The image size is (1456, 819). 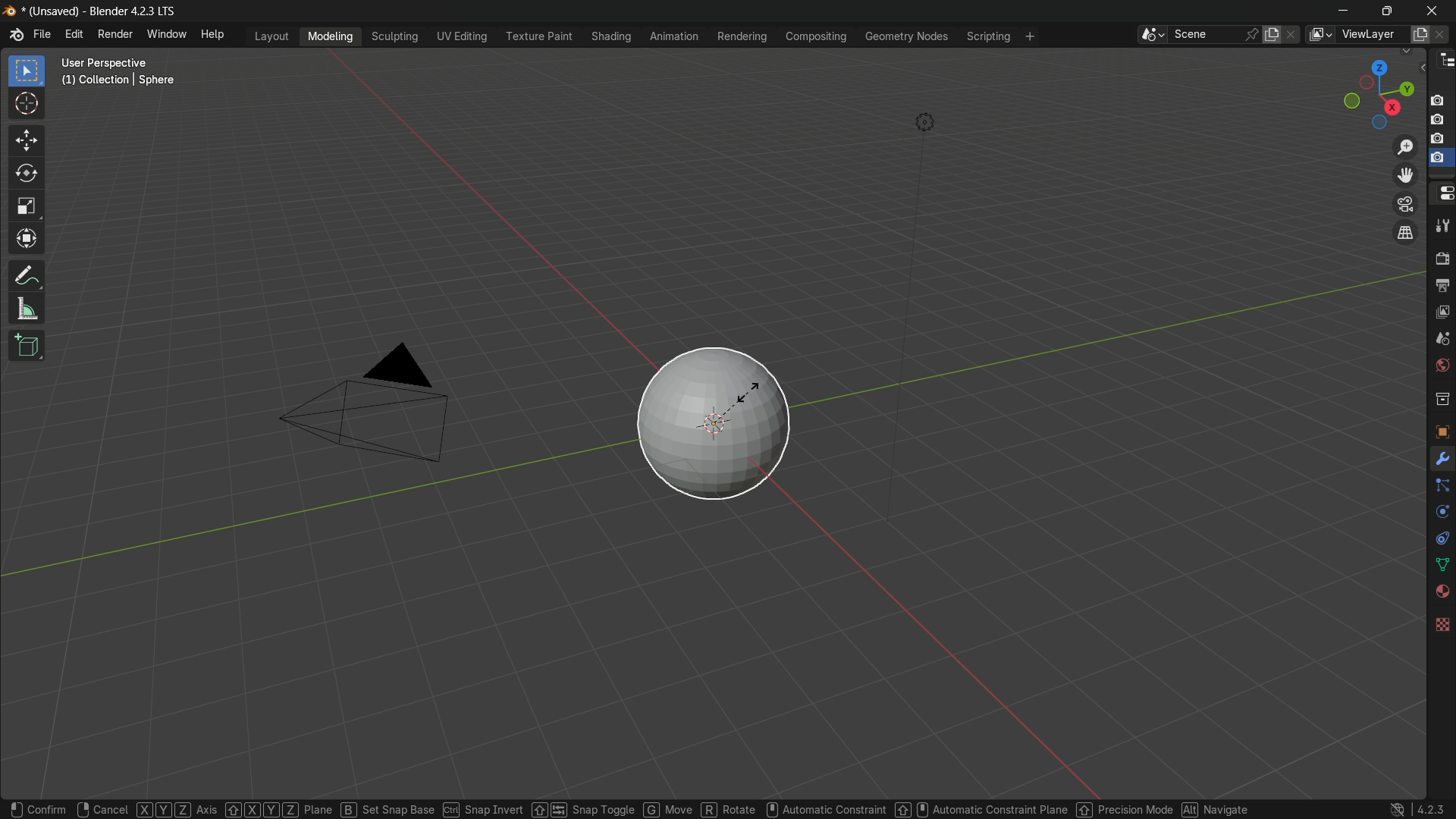 What do you see at coordinates (27, 104) in the screenshot?
I see `cursor` at bounding box center [27, 104].